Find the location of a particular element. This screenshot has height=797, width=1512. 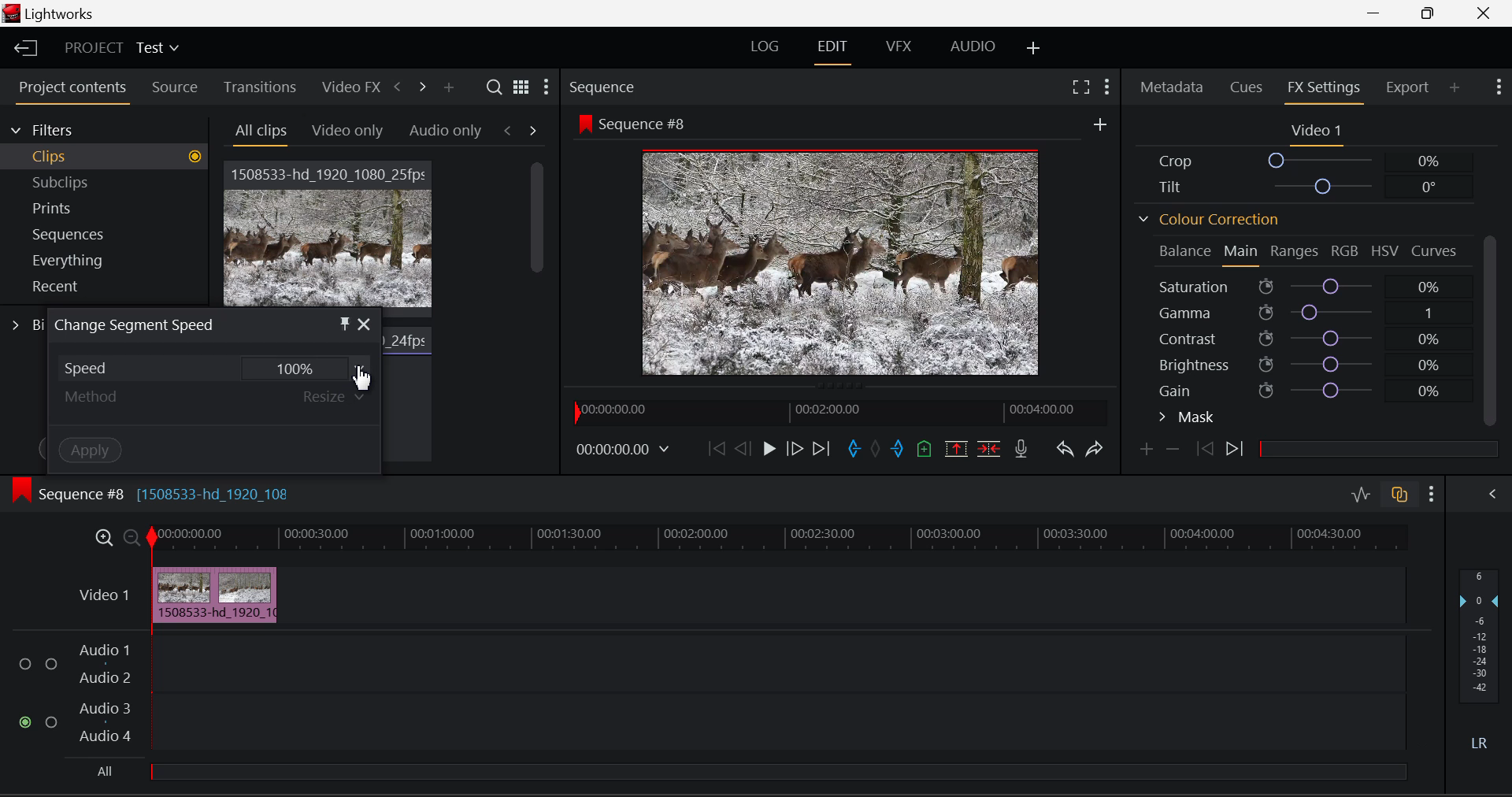

RGB is located at coordinates (1345, 252).